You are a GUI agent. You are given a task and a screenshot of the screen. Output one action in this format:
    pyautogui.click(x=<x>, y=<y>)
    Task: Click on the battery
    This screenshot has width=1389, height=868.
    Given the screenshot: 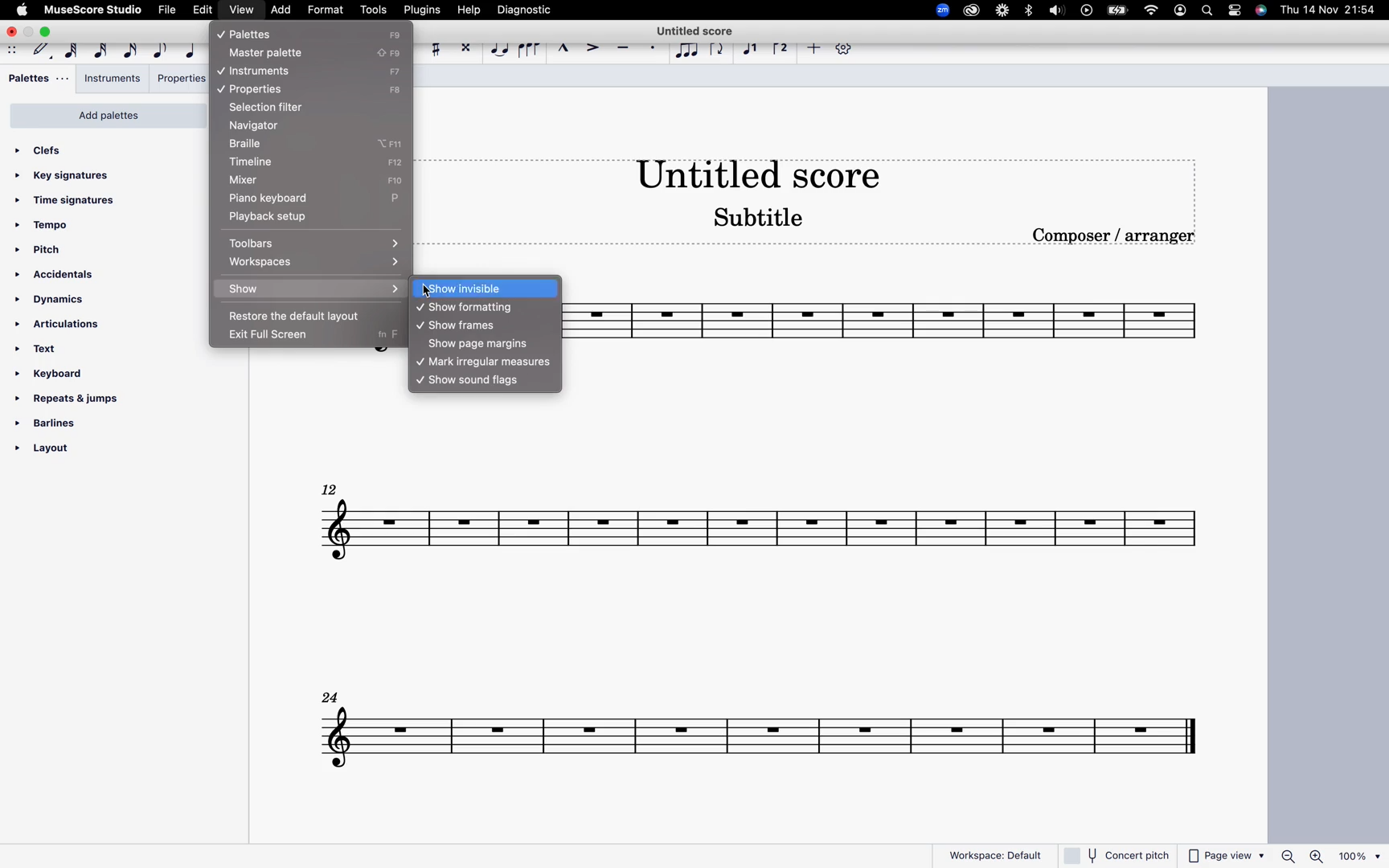 What is the action you would take?
    pyautogui.click(x=1121, y=12)
    